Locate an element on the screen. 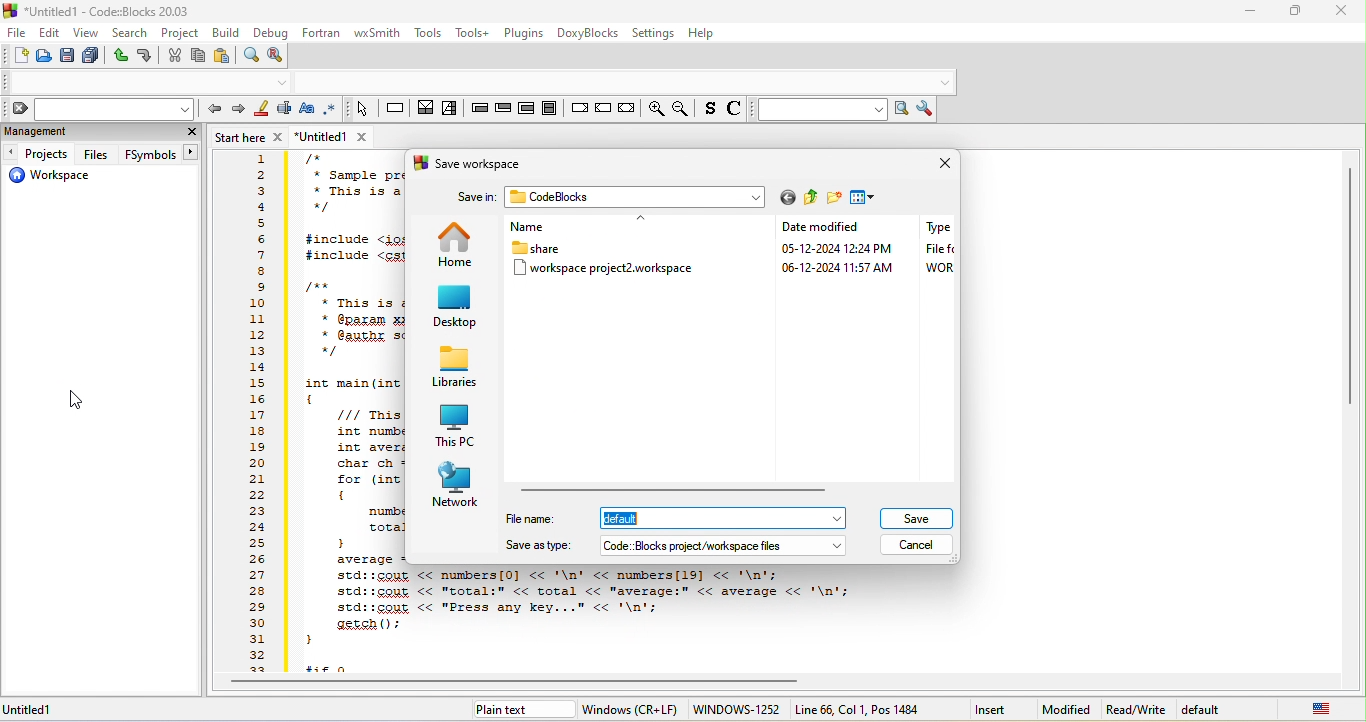 The image size is (1366, 722). share is located at coordinates (540, 247).